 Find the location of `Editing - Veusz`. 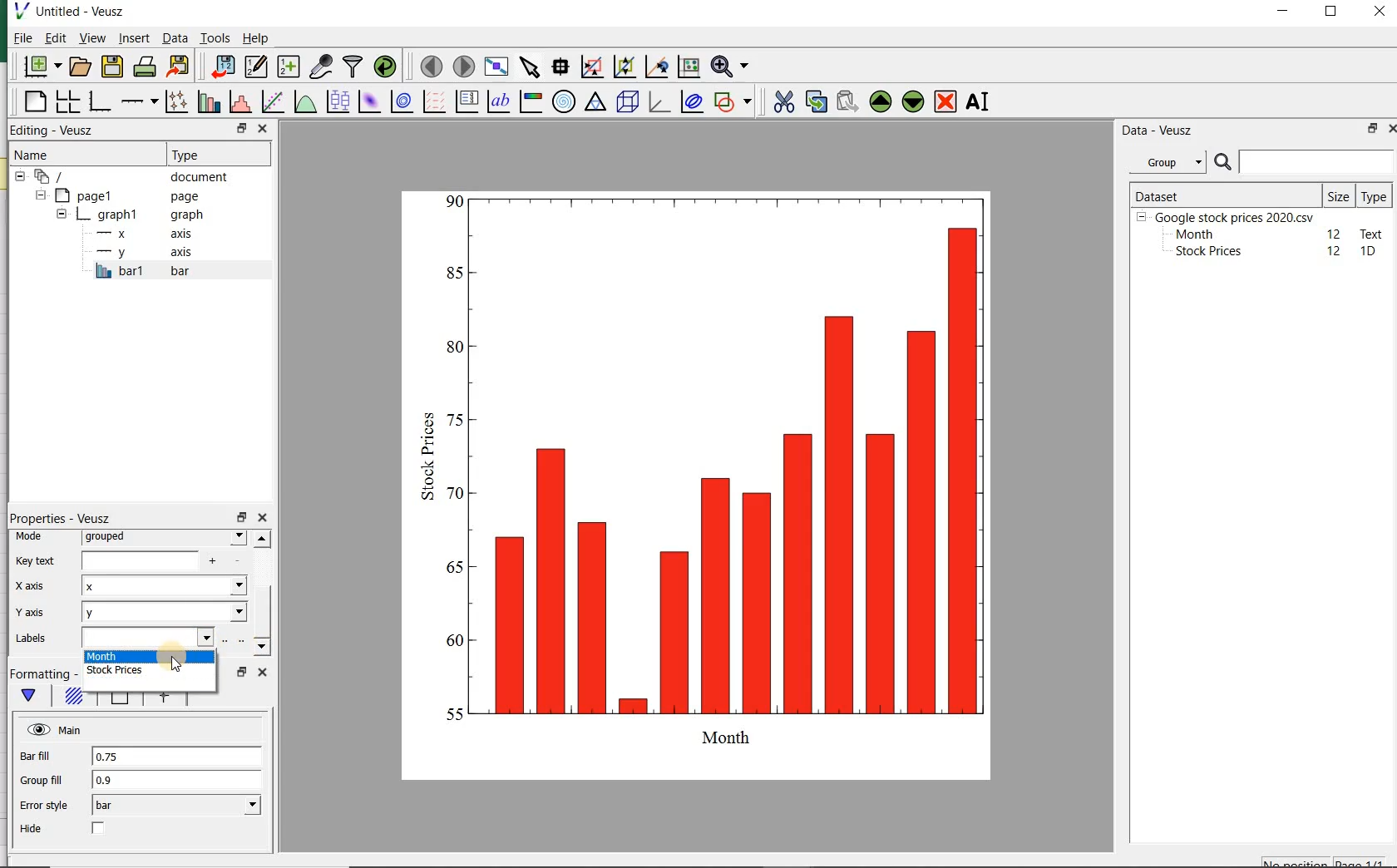

Editing - Veusz is located at coordinates (54, 131).